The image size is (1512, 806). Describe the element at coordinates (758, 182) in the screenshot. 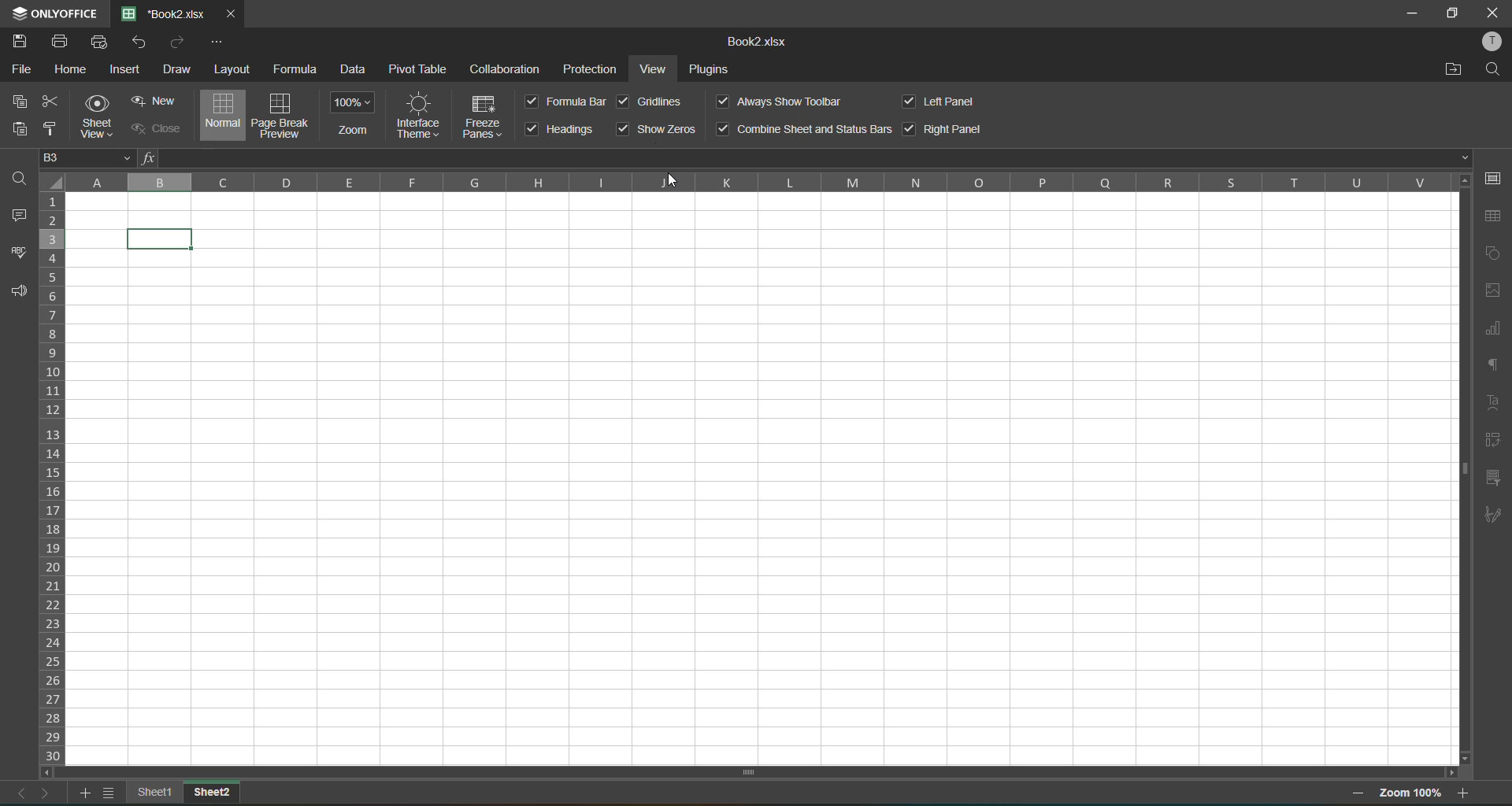

I see `column names` at that location.